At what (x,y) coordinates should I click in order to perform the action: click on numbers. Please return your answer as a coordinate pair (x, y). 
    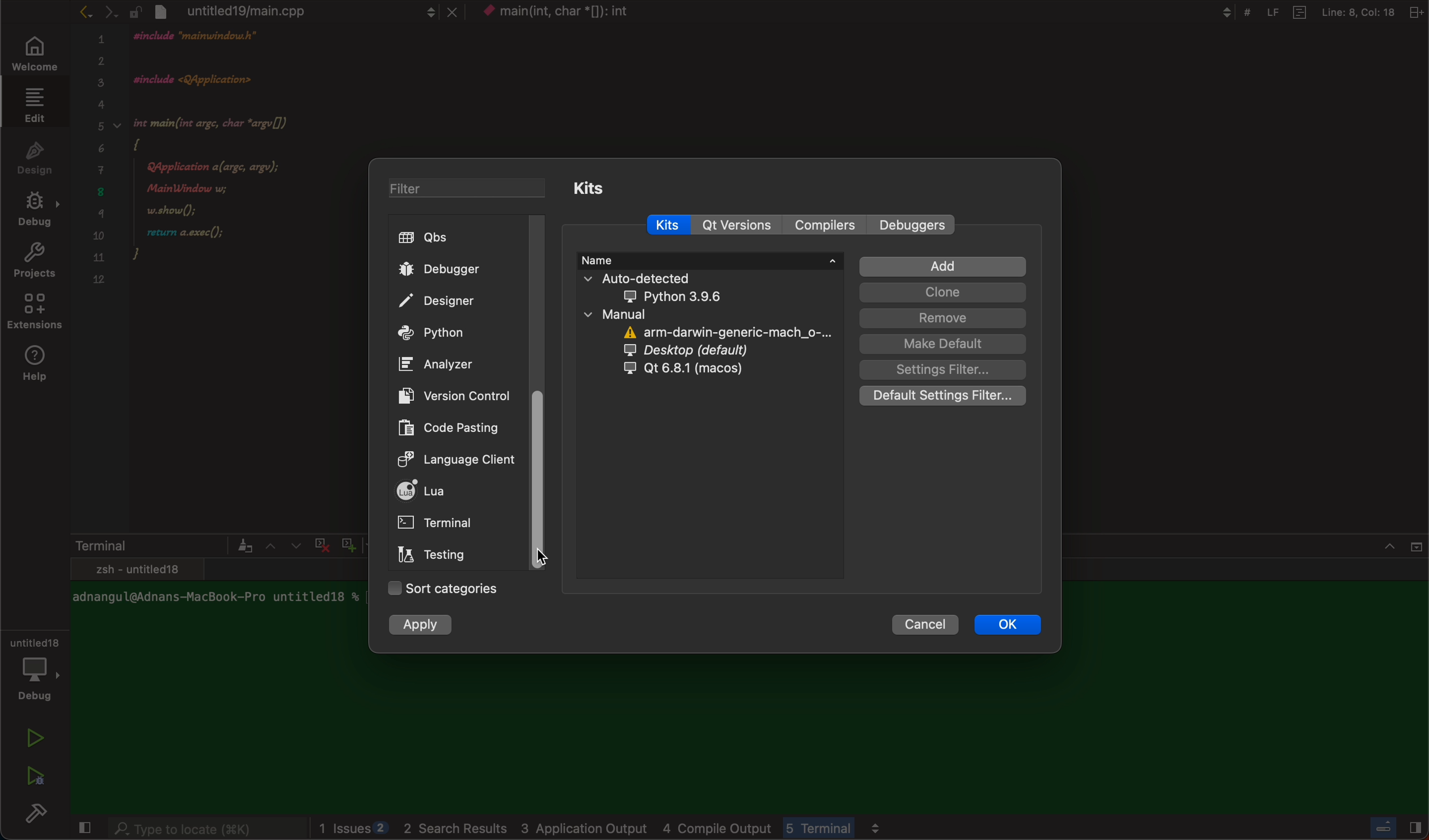
    Looking at the image, I should click on (100, 166).